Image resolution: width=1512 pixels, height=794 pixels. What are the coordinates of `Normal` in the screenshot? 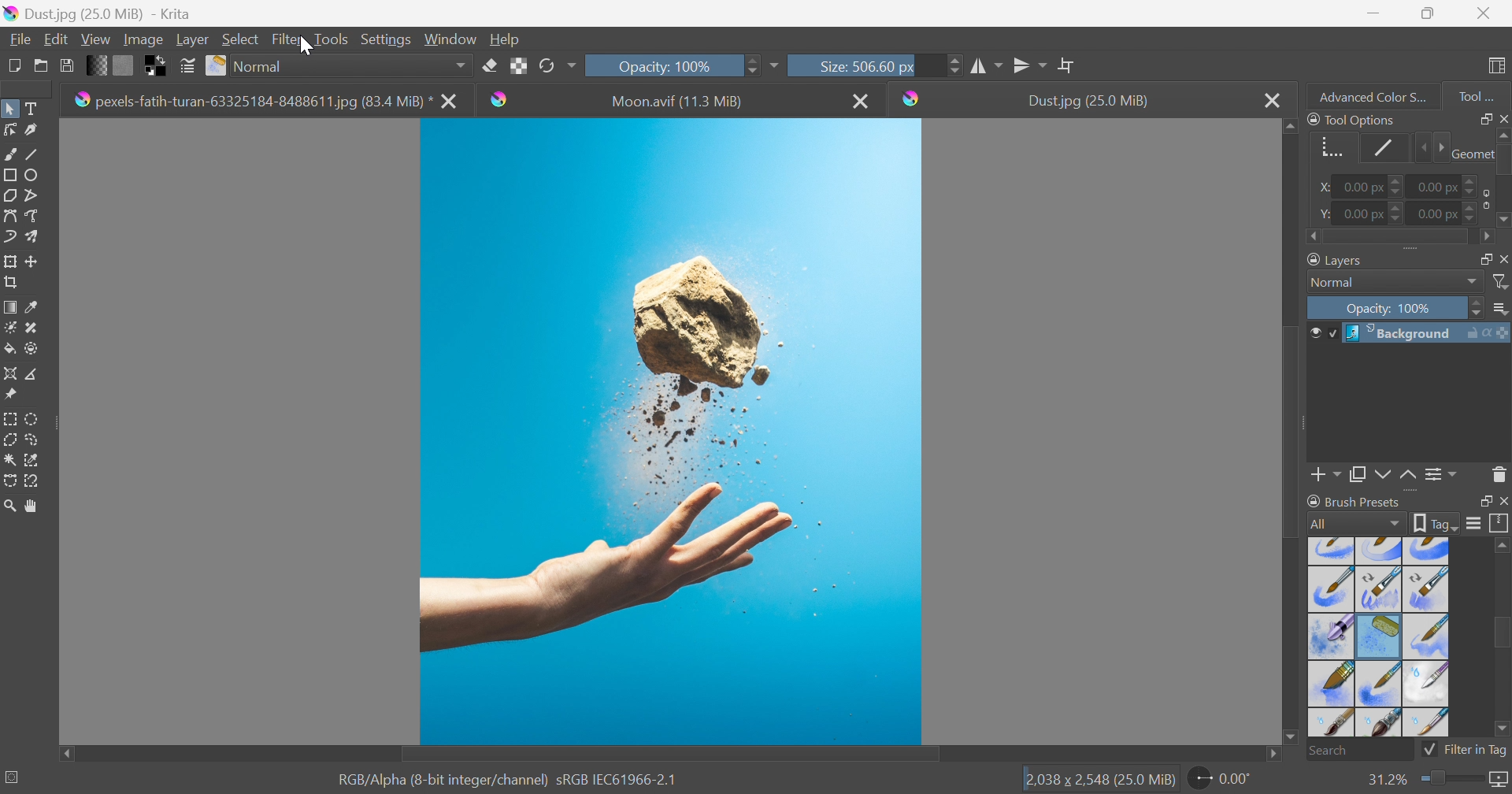 It's located at (352, 65).